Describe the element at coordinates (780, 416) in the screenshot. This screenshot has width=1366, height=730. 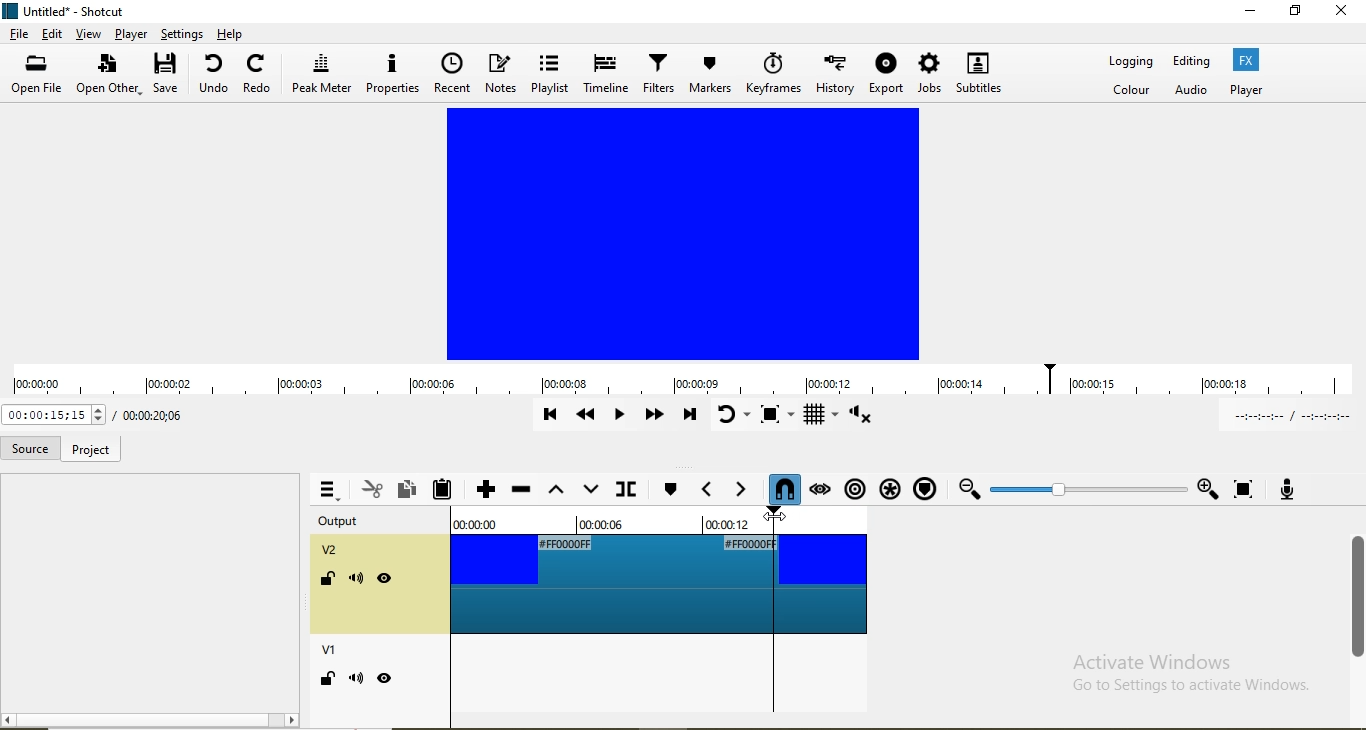
I see `Toggle zoom` at that location.